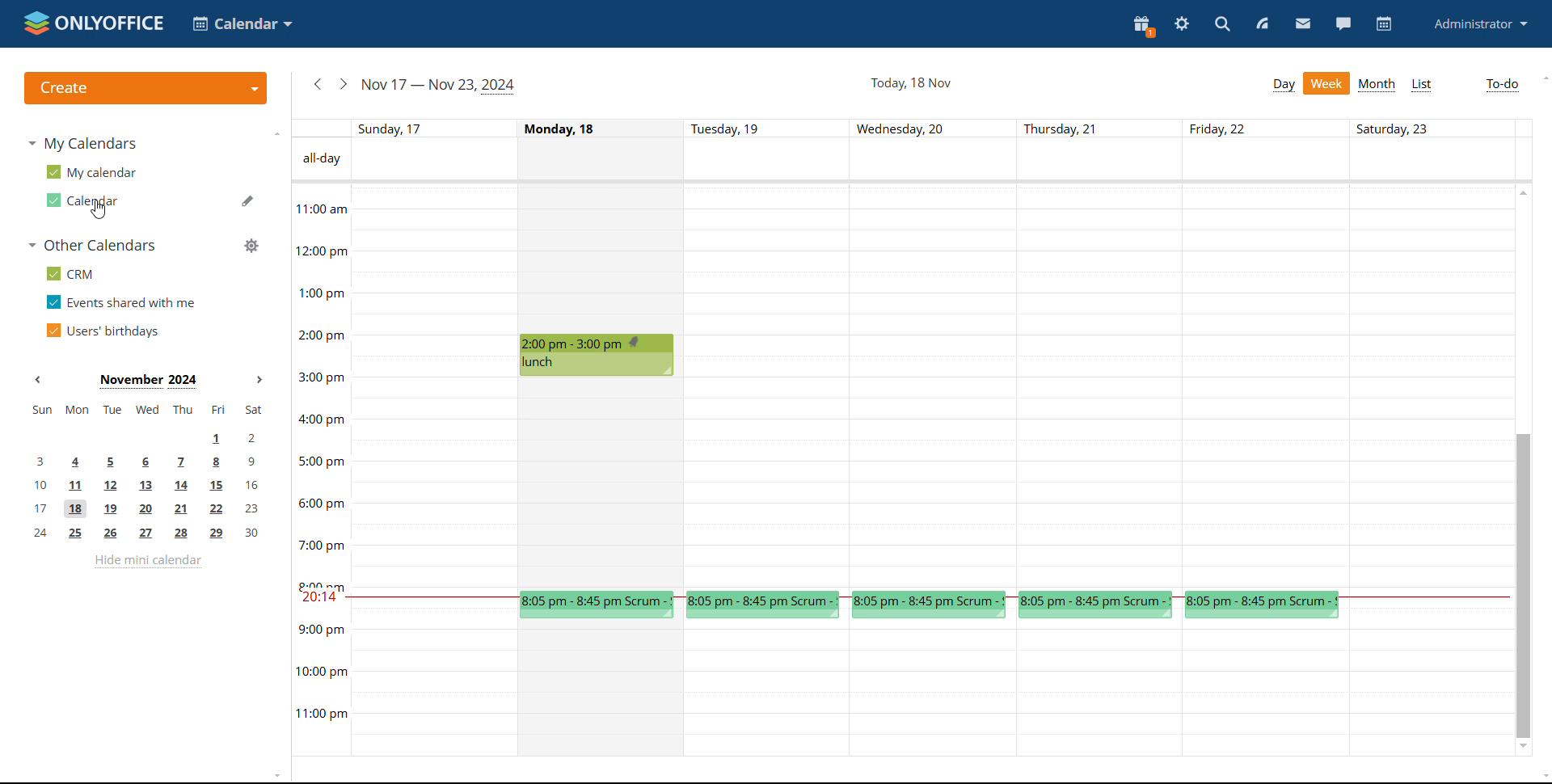  I want to click on current week, so click(442, 86).